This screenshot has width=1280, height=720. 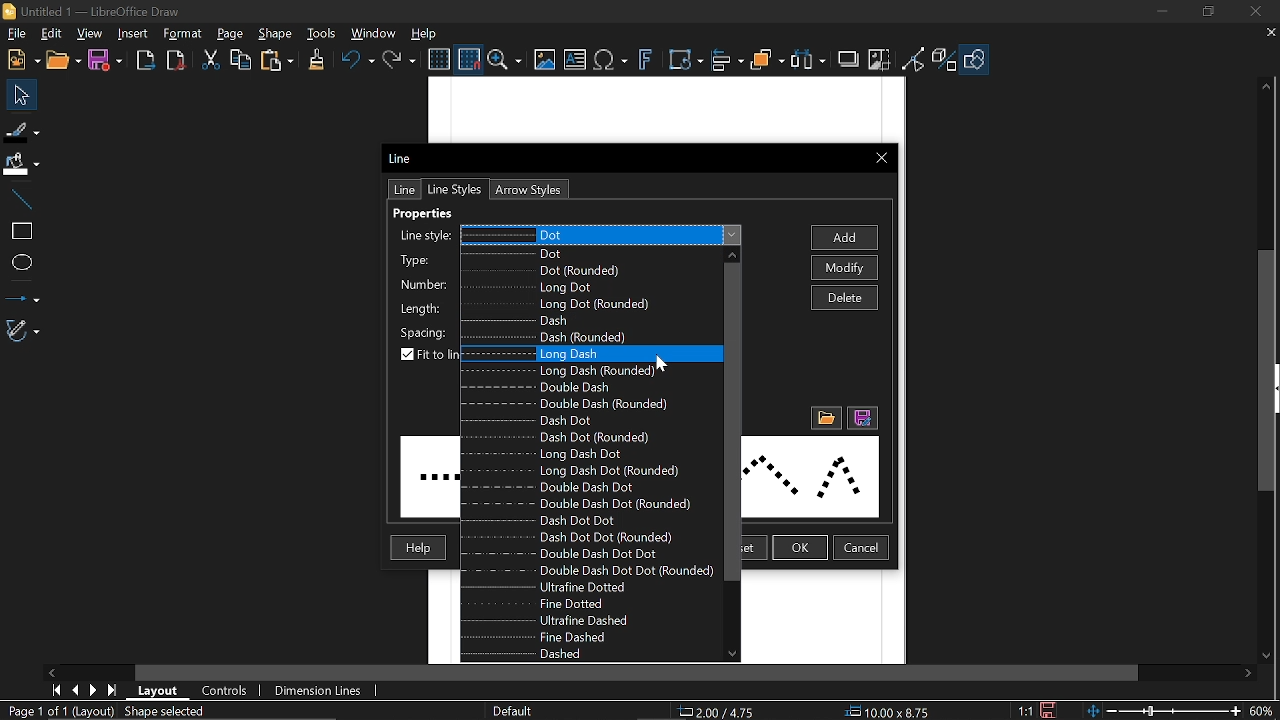 What do you see at coordinates (526, 190) in the screenshot?
I see `Arrow styles` at bounding box center [526, 190].